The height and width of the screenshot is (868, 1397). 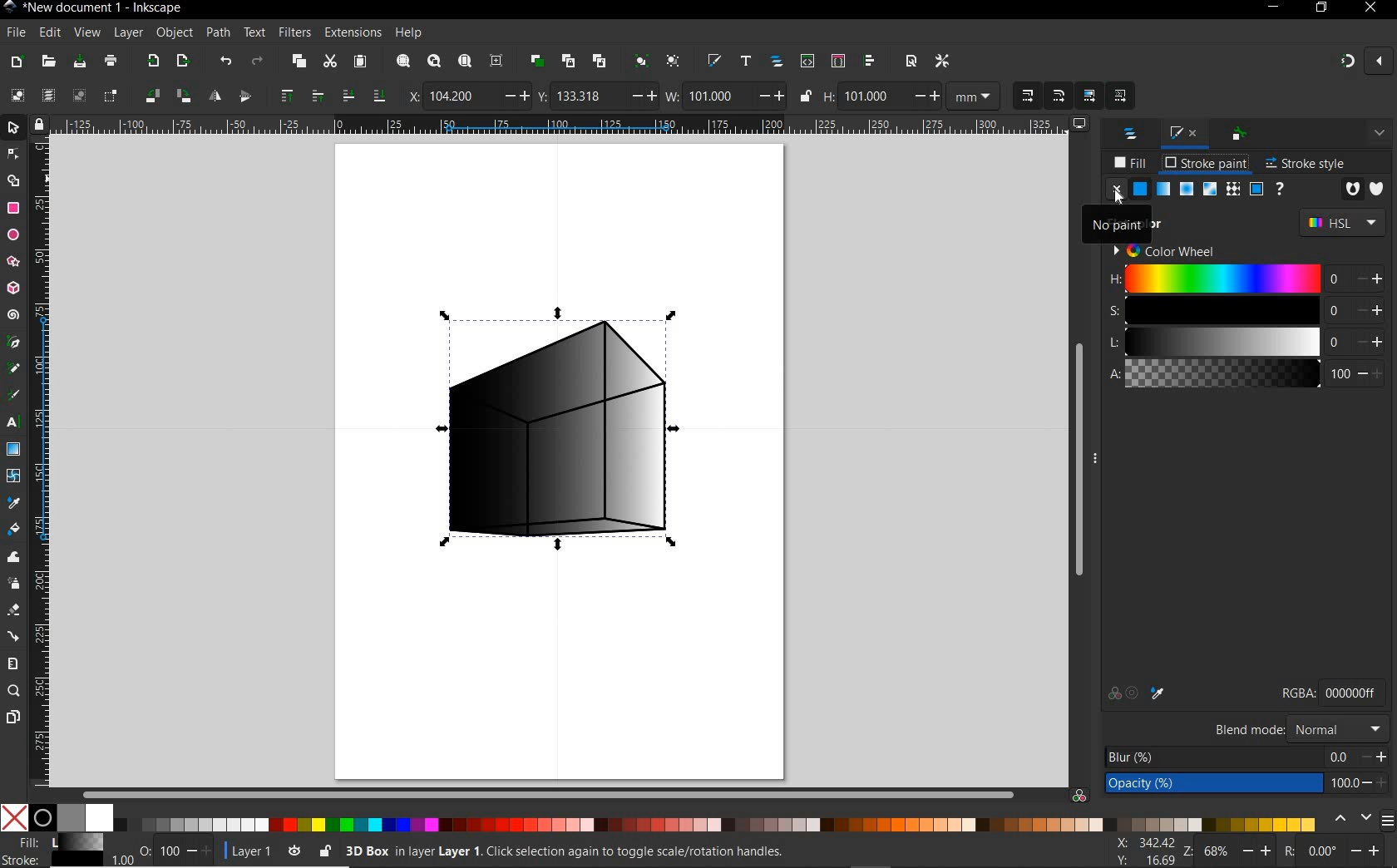 What do you see at coordinates (560, 125) in the screenshot?
I see `RULER` at bounding box center [560, 125].